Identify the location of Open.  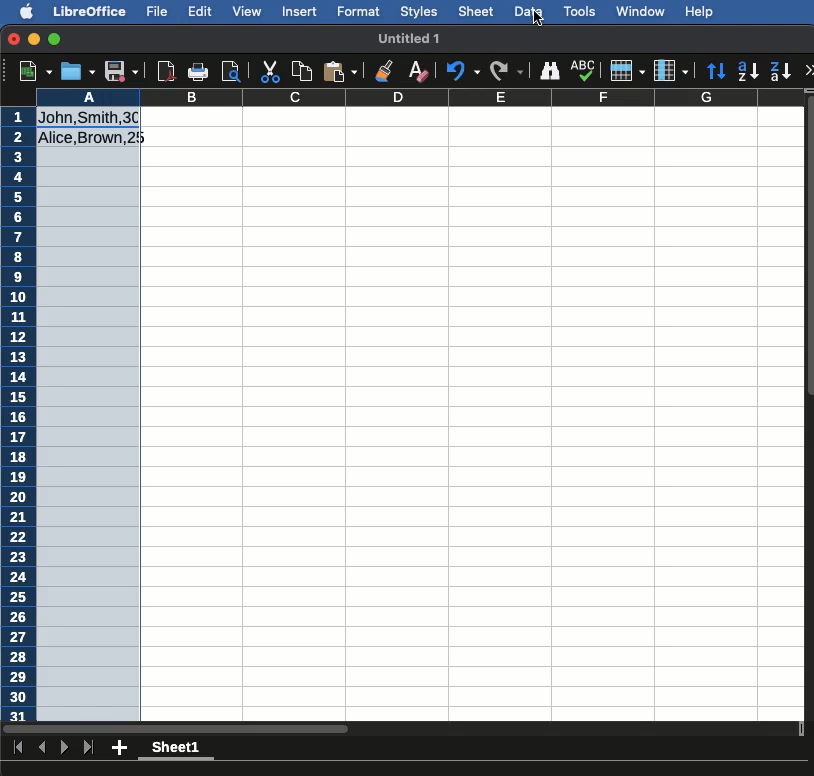
(79, 71).